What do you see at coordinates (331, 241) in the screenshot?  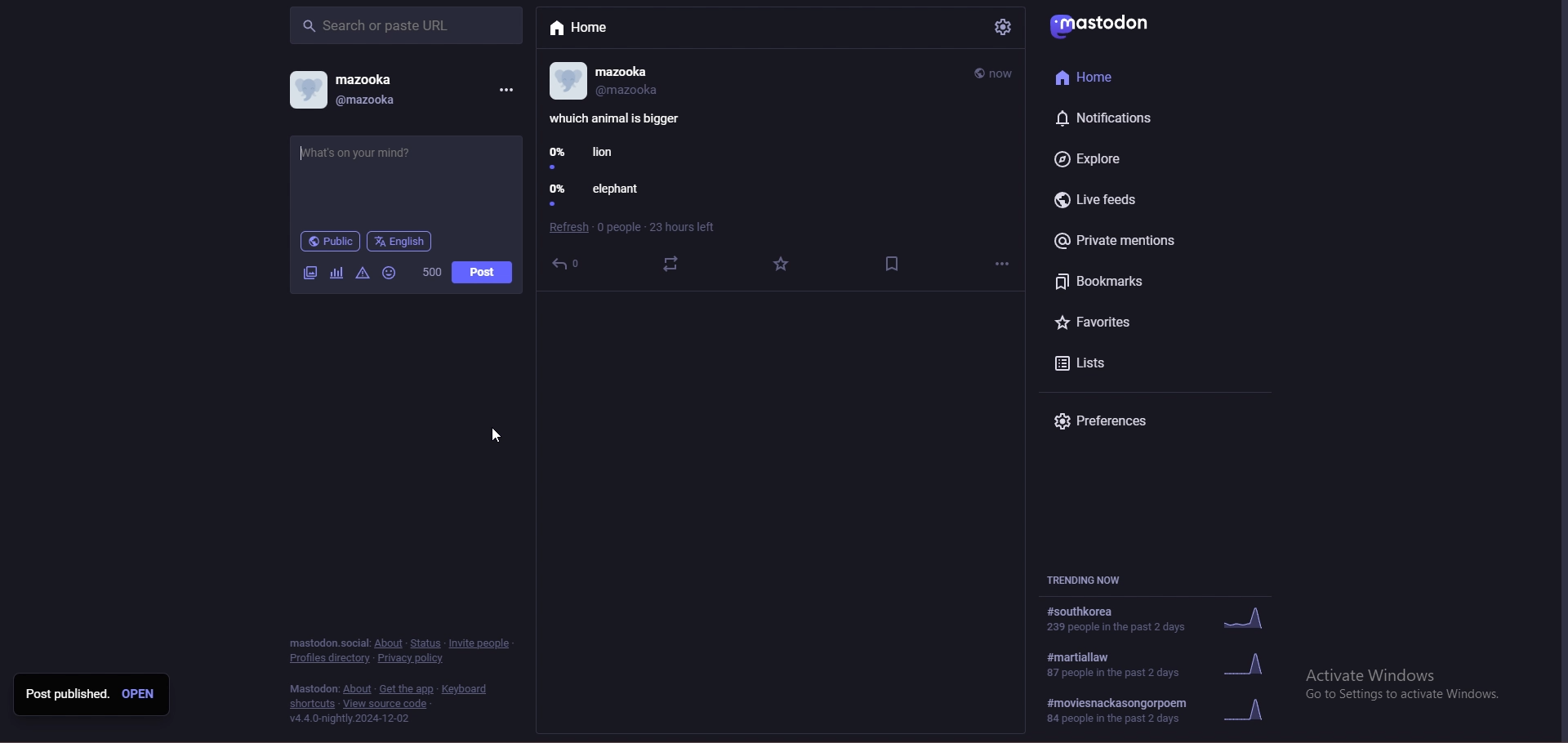 I see `public` at bounding box center [331, 241].